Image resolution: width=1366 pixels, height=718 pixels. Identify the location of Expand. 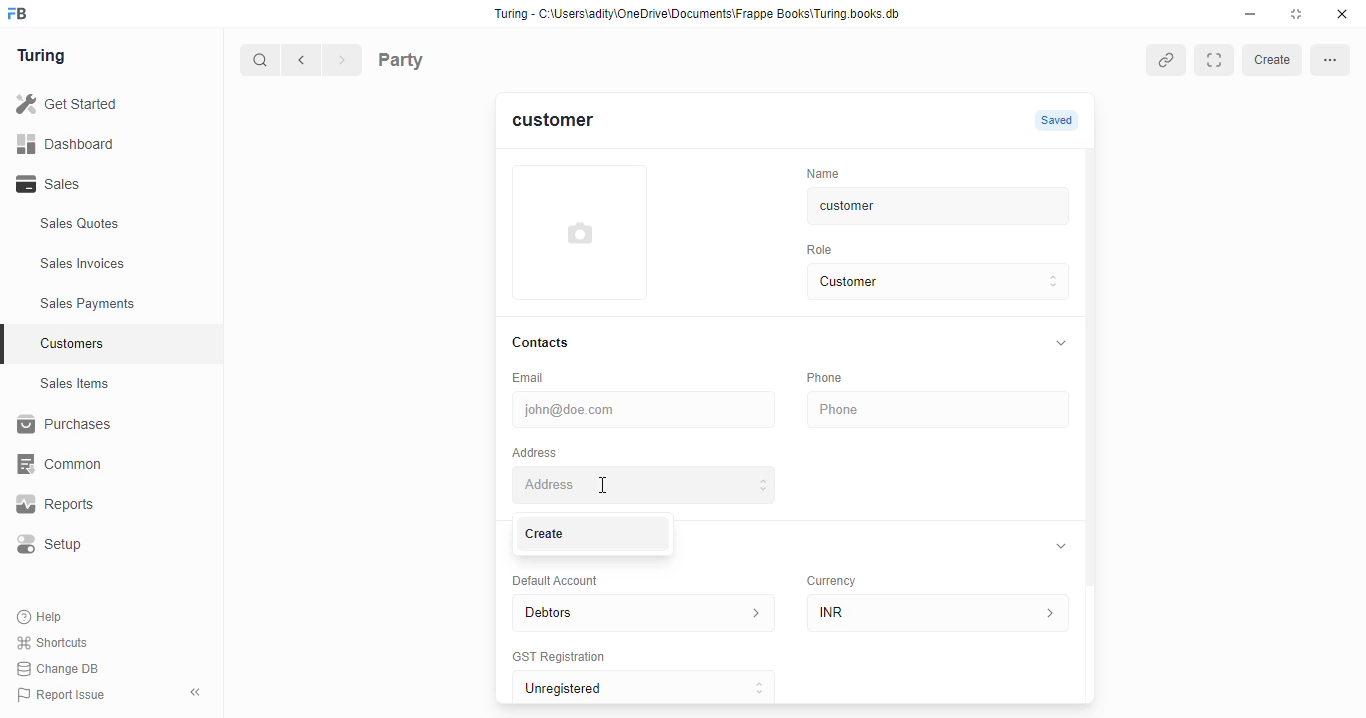
(1213, 60).